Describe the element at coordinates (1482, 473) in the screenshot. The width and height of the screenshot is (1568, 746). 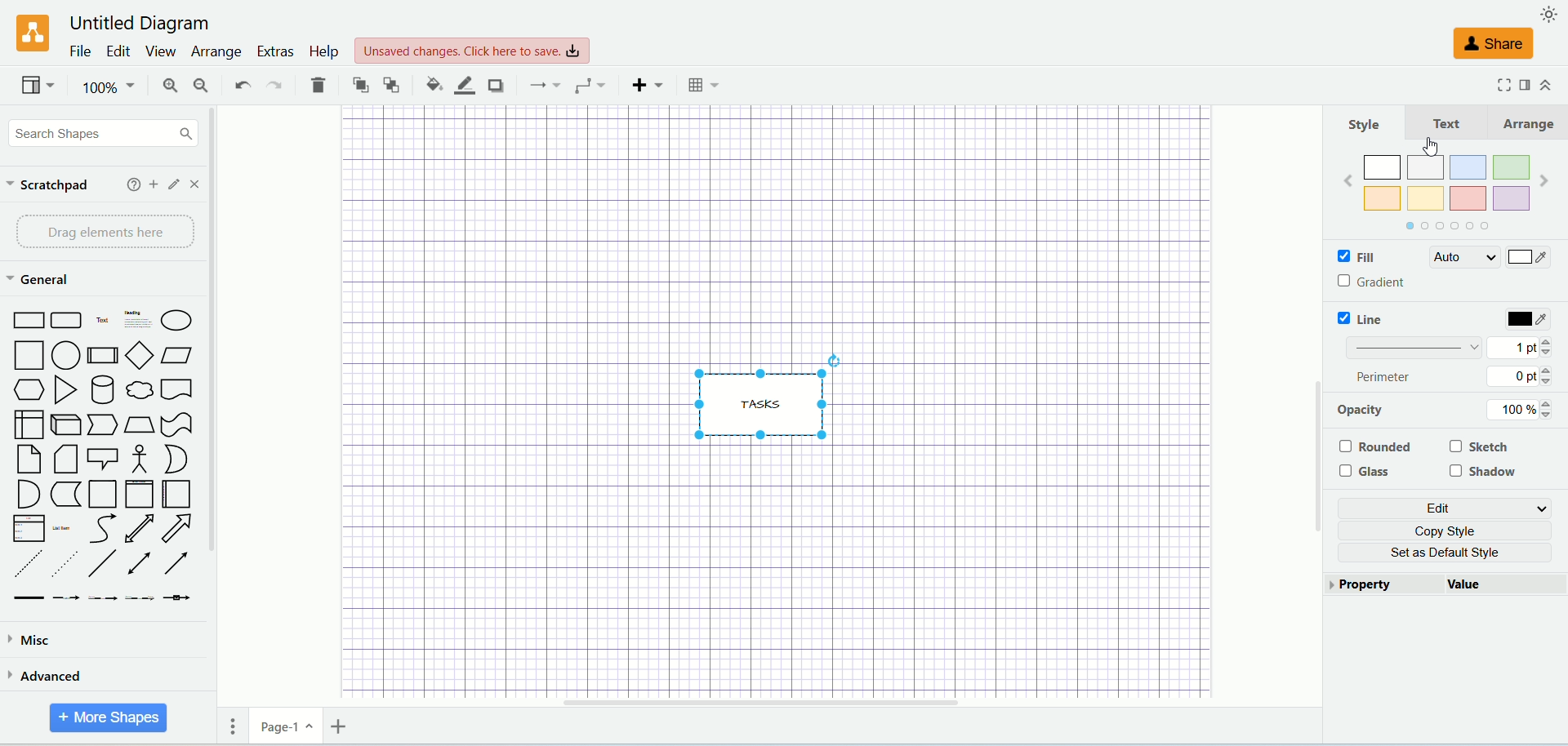
I see `shadow` at that location.